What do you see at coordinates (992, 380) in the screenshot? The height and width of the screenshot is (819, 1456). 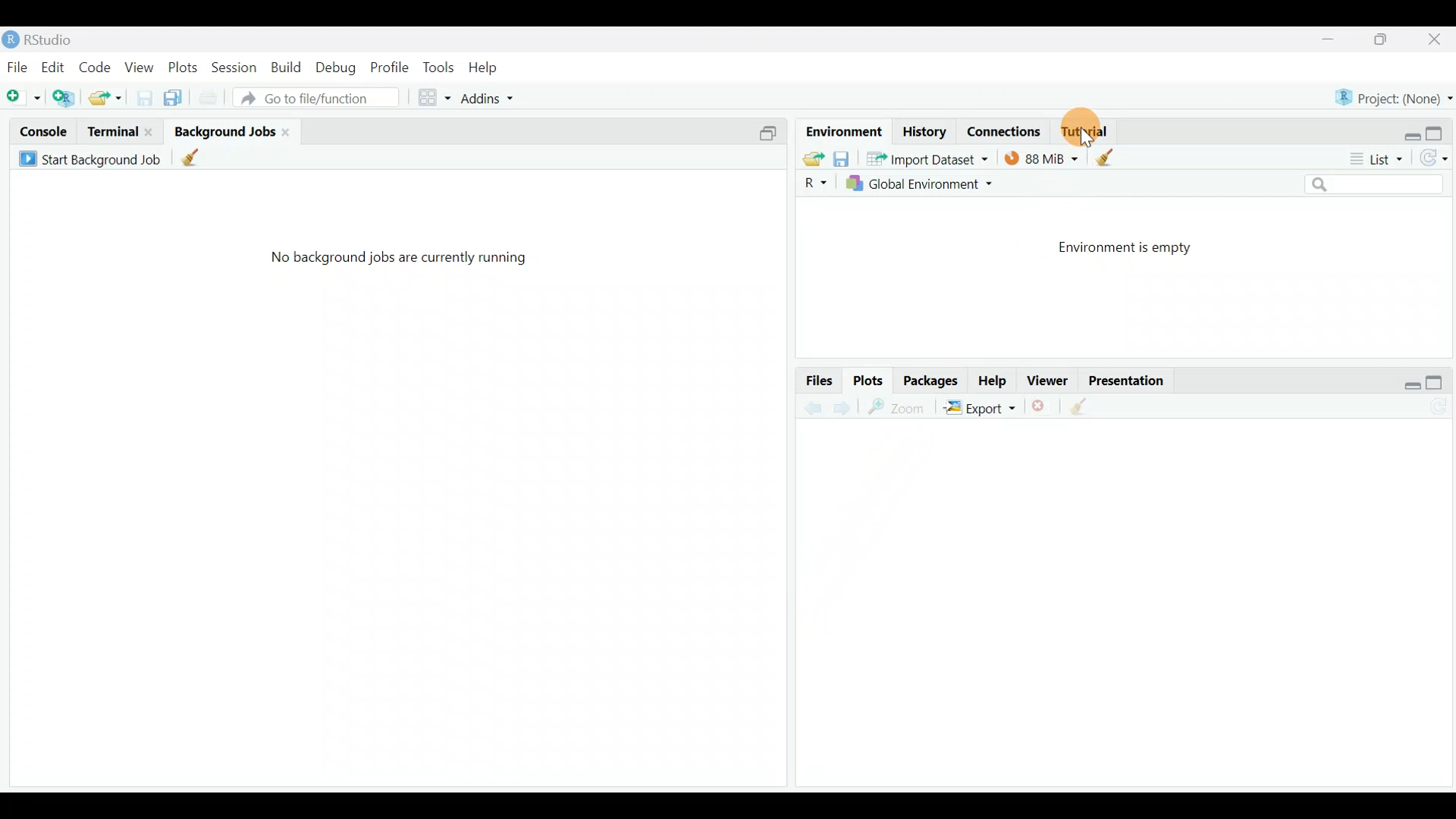 I see `Help` at bounding box center [992, 380].